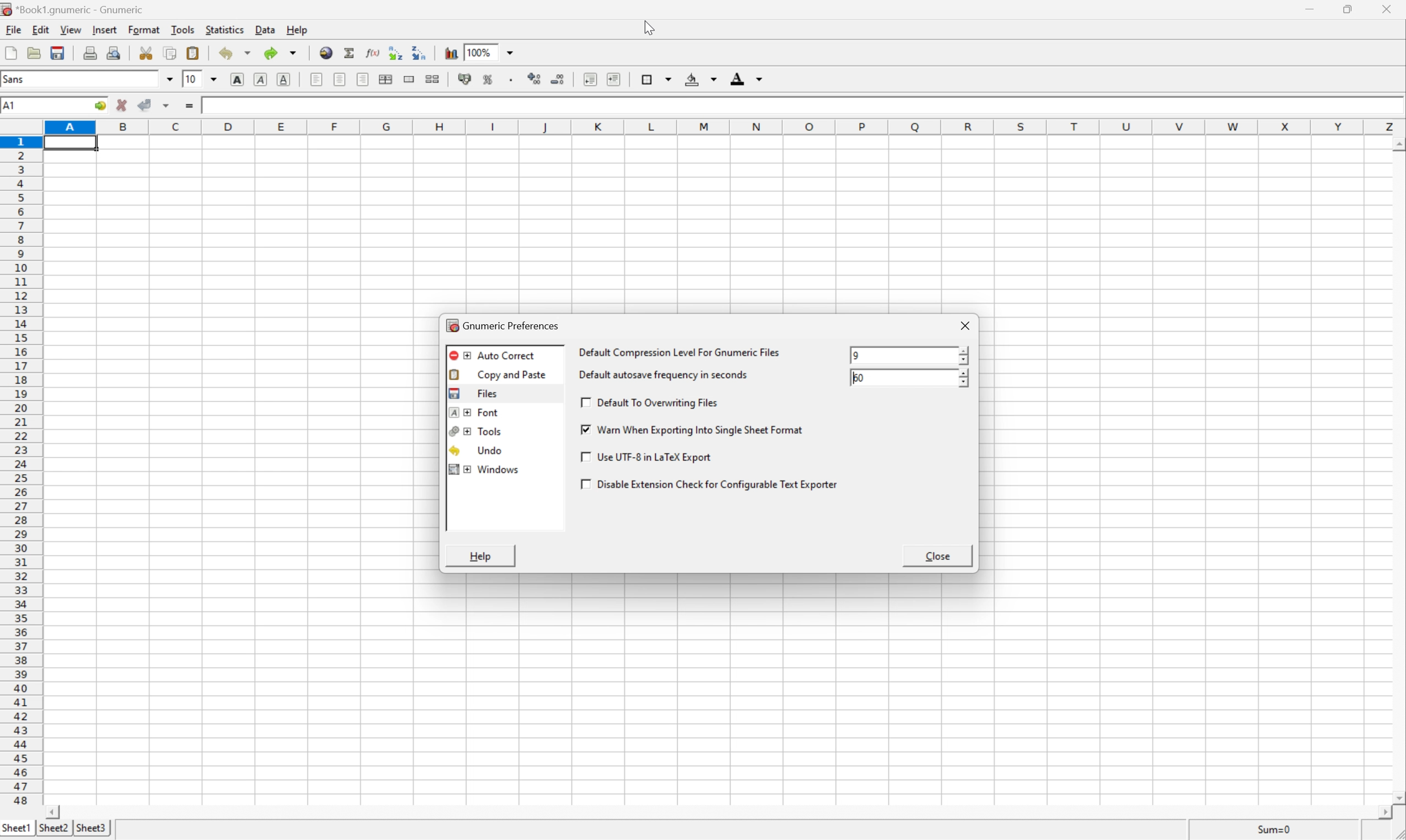 The height and width of the screenshot is (840, 1406). I want to click on scroll up, so click(1397, 143).